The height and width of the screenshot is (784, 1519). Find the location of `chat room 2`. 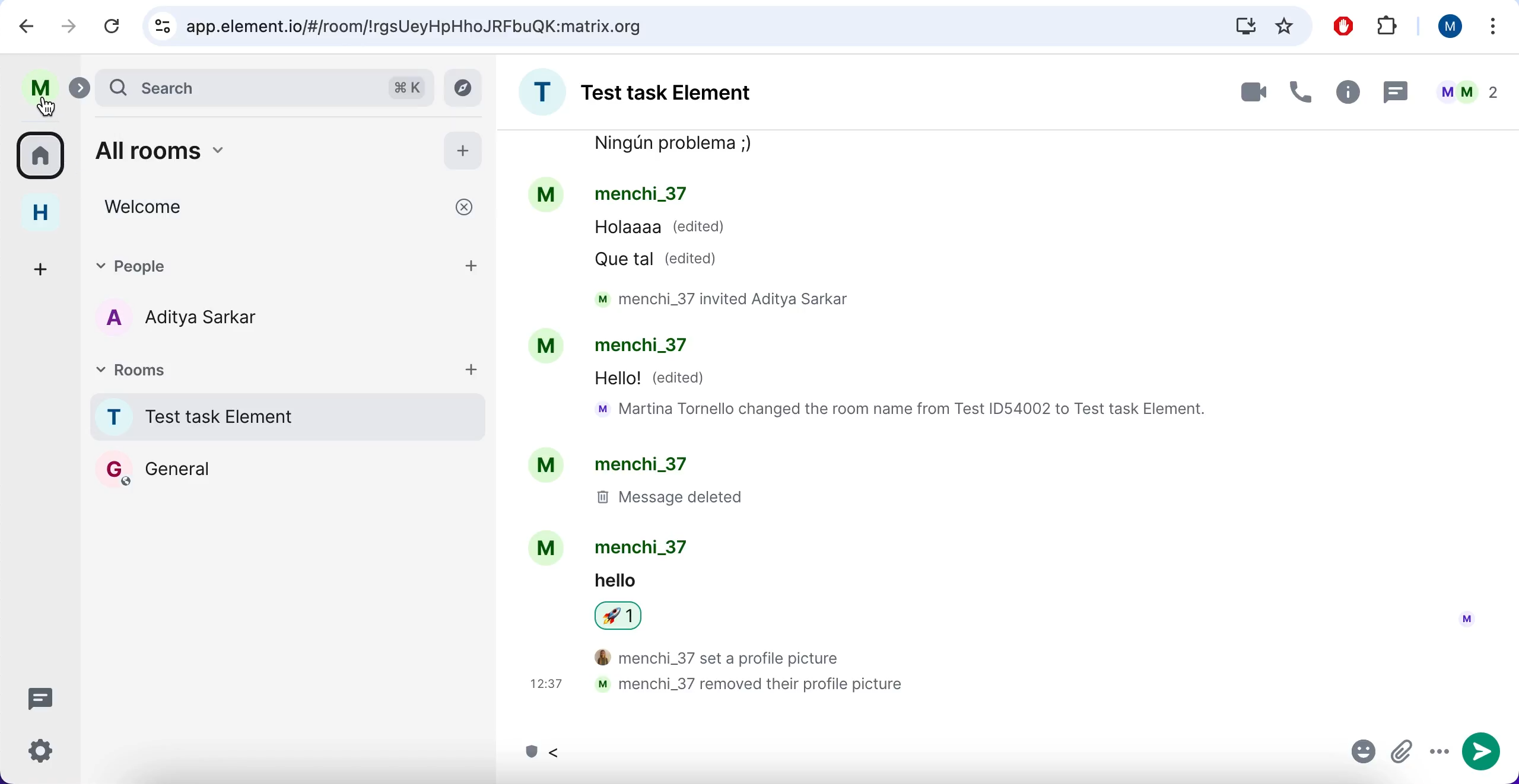

chat room 2 is located at coordinates (224, 473).